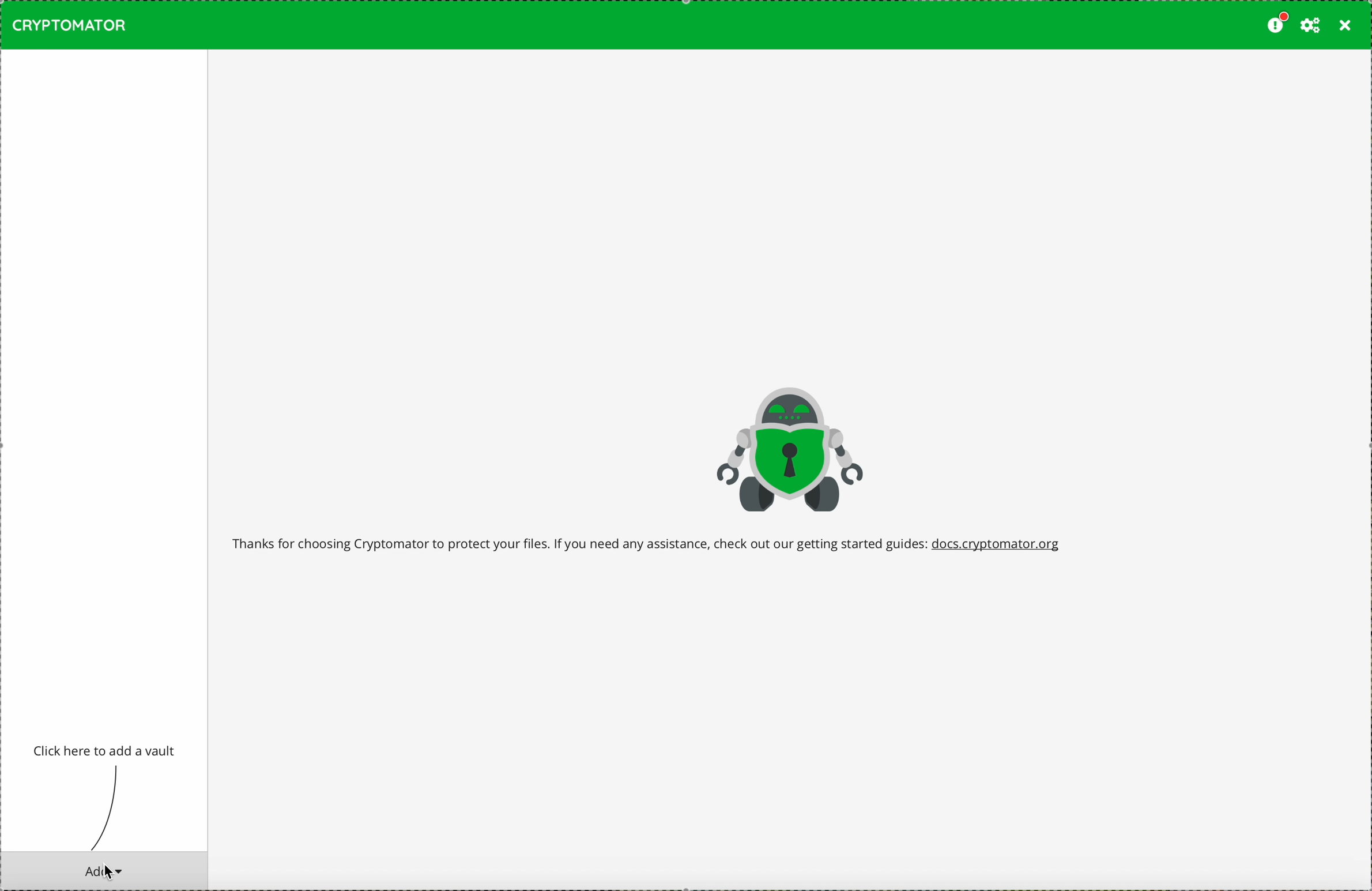 The height and width of the screenshot is (891, 1372). What do you see at coordinates (106, 751) in the screenshot?
I see `click to add a vault` at bounding box center [106, 751].